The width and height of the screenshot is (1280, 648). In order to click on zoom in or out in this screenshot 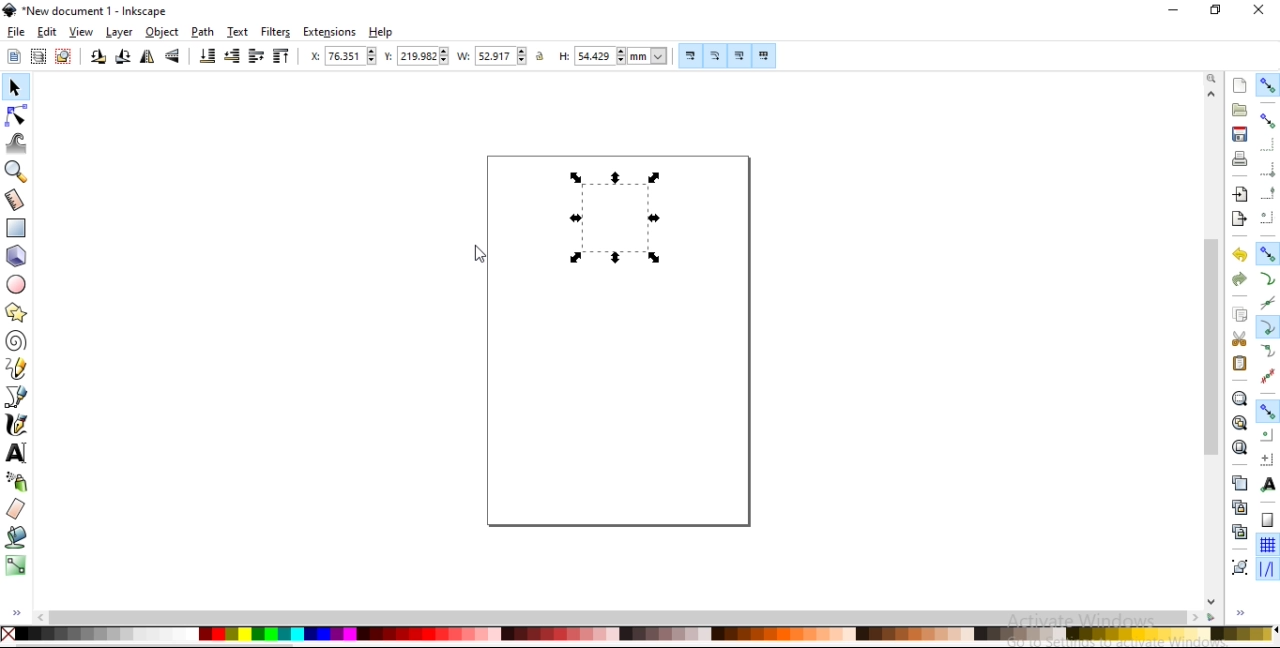, I will do `click(14, 174)`.